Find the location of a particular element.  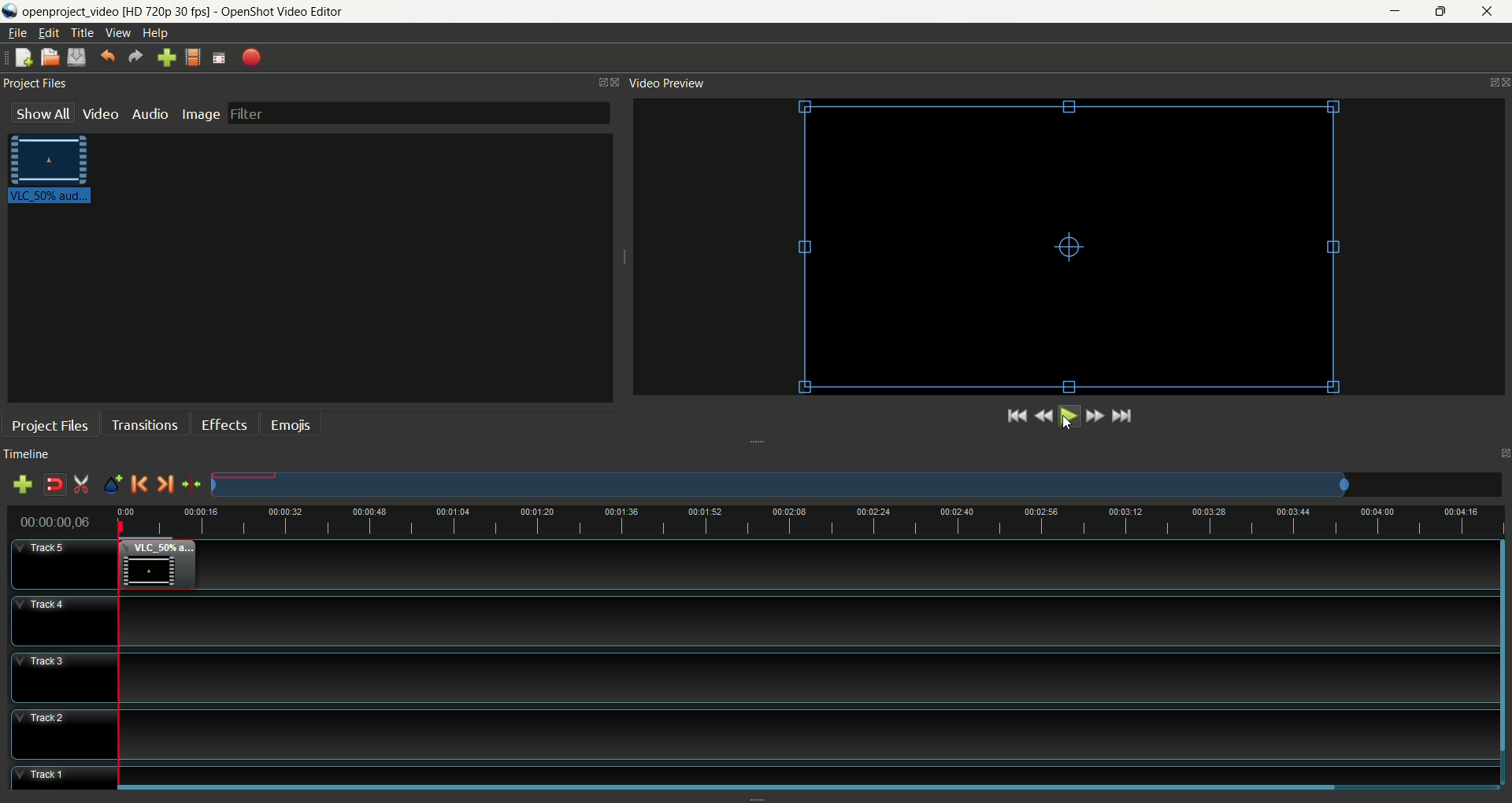

track2 is located at coordinates (65, 735).